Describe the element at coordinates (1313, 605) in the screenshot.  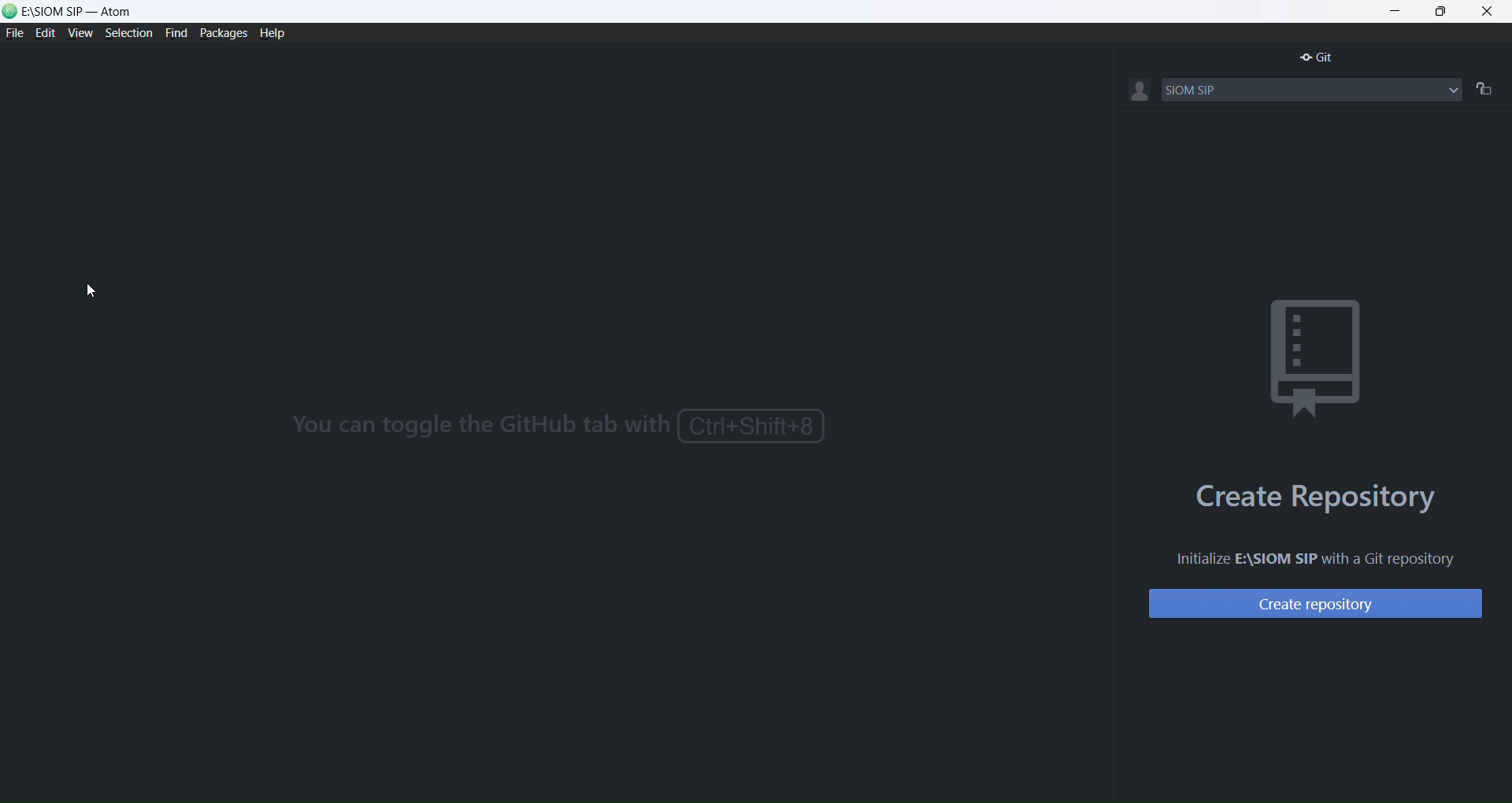
I see `create repository` at that location.